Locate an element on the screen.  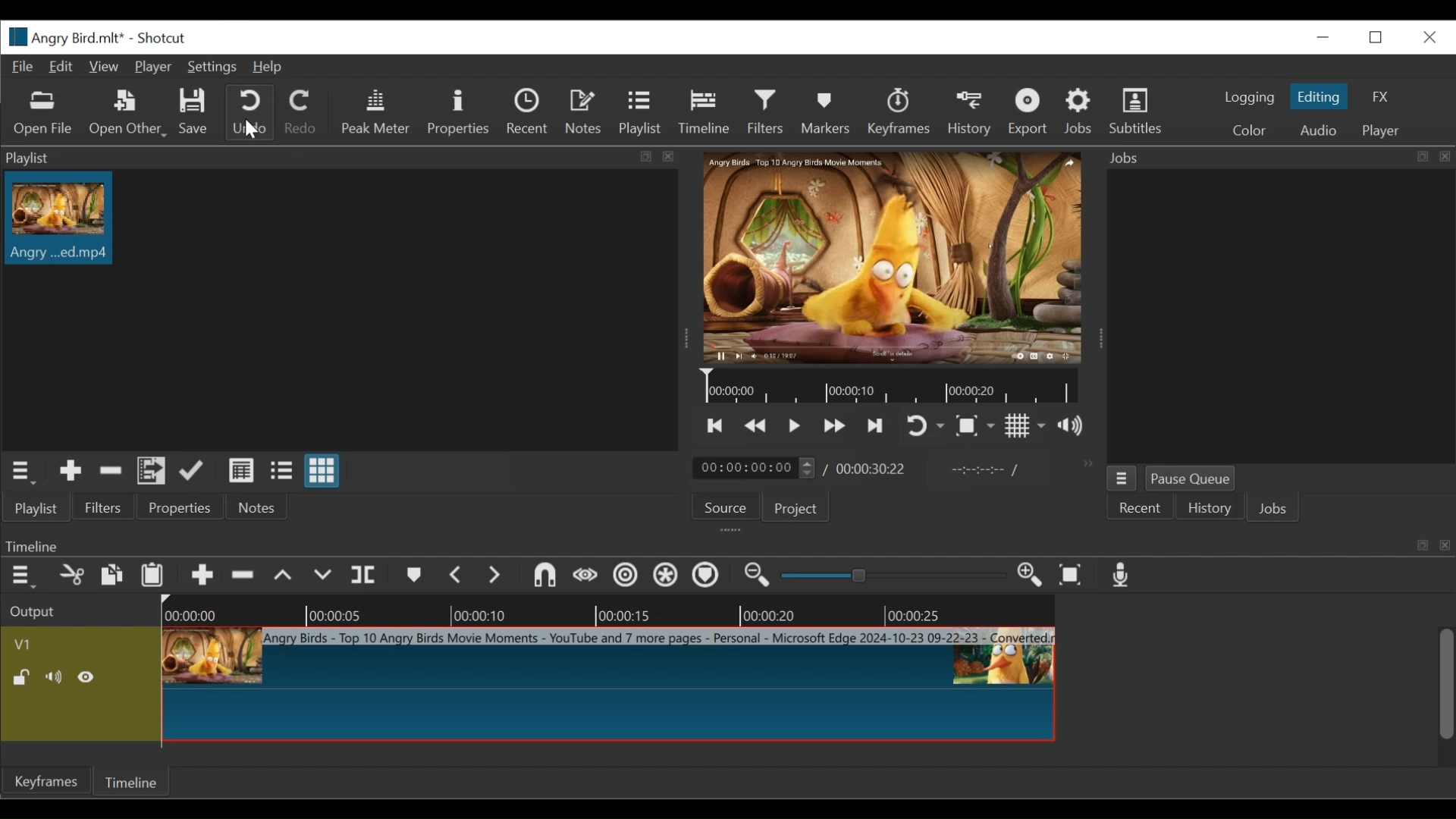
Append is located at coordinates (201, 577).